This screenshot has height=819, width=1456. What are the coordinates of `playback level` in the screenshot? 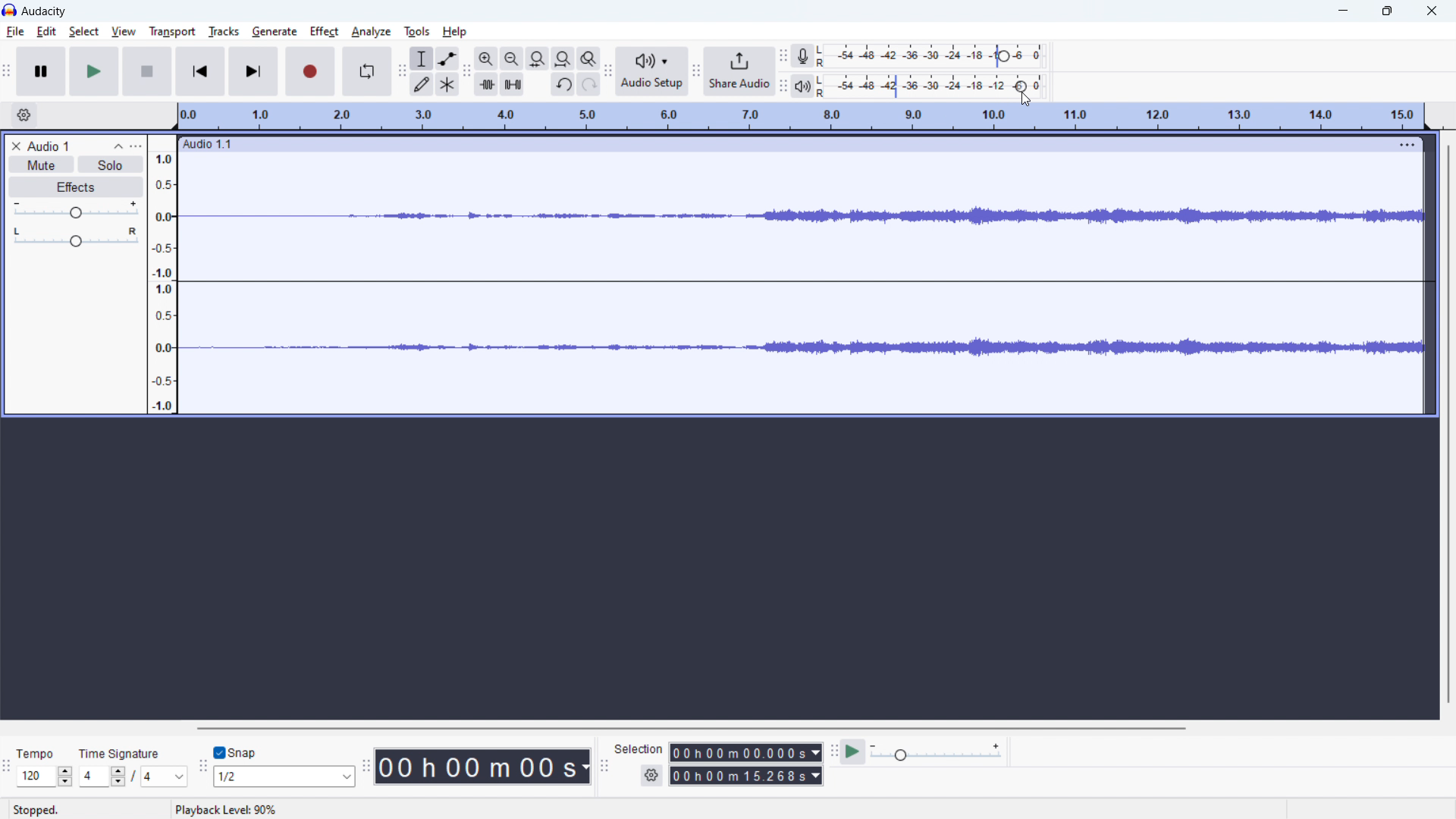 It's located at (930, 85).